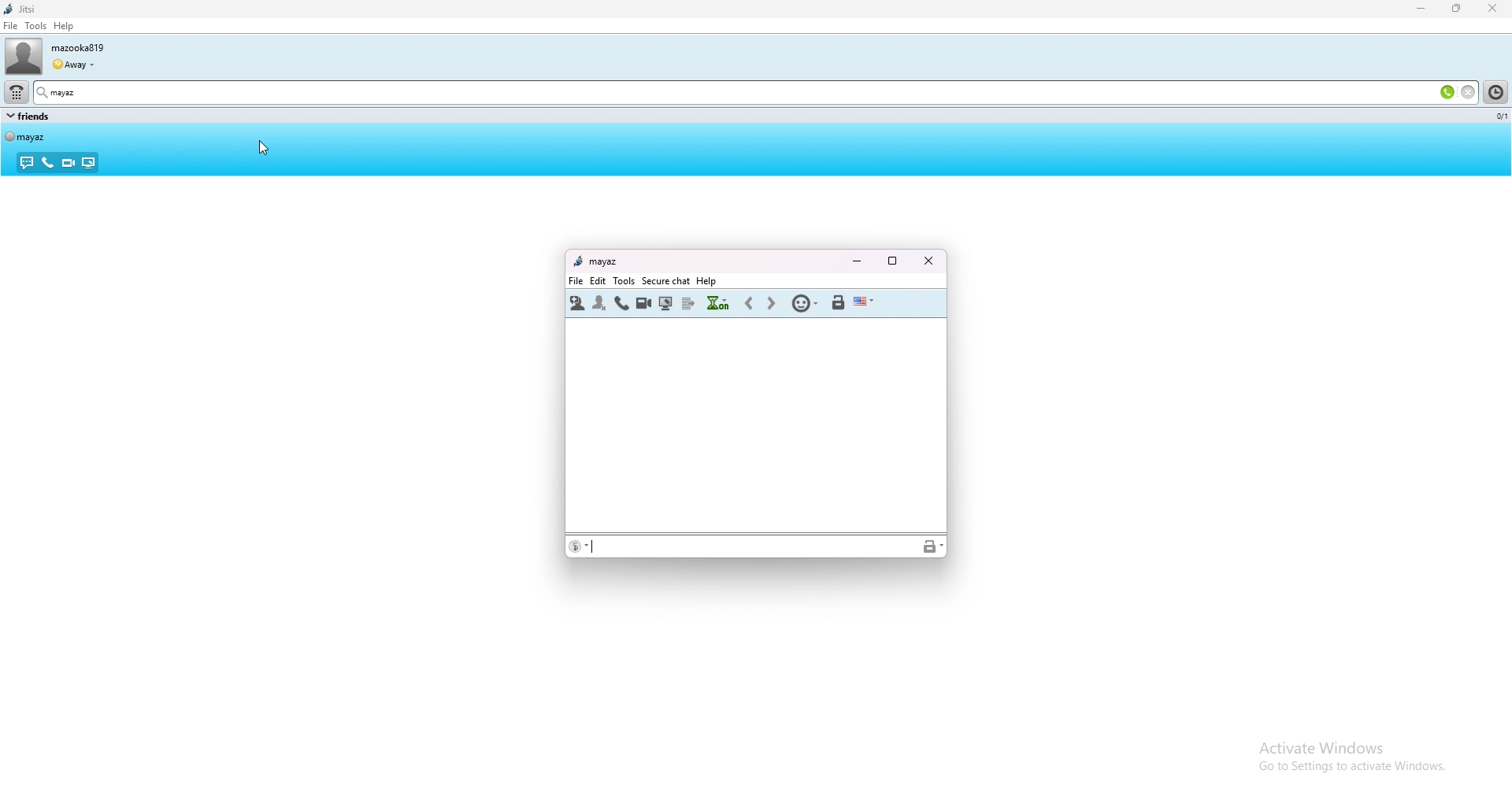 The height and width of the screenshot is (811, 1512). Describe the element at coordinates (595, 262) in the screenshot. I see `mayaz` at that location.